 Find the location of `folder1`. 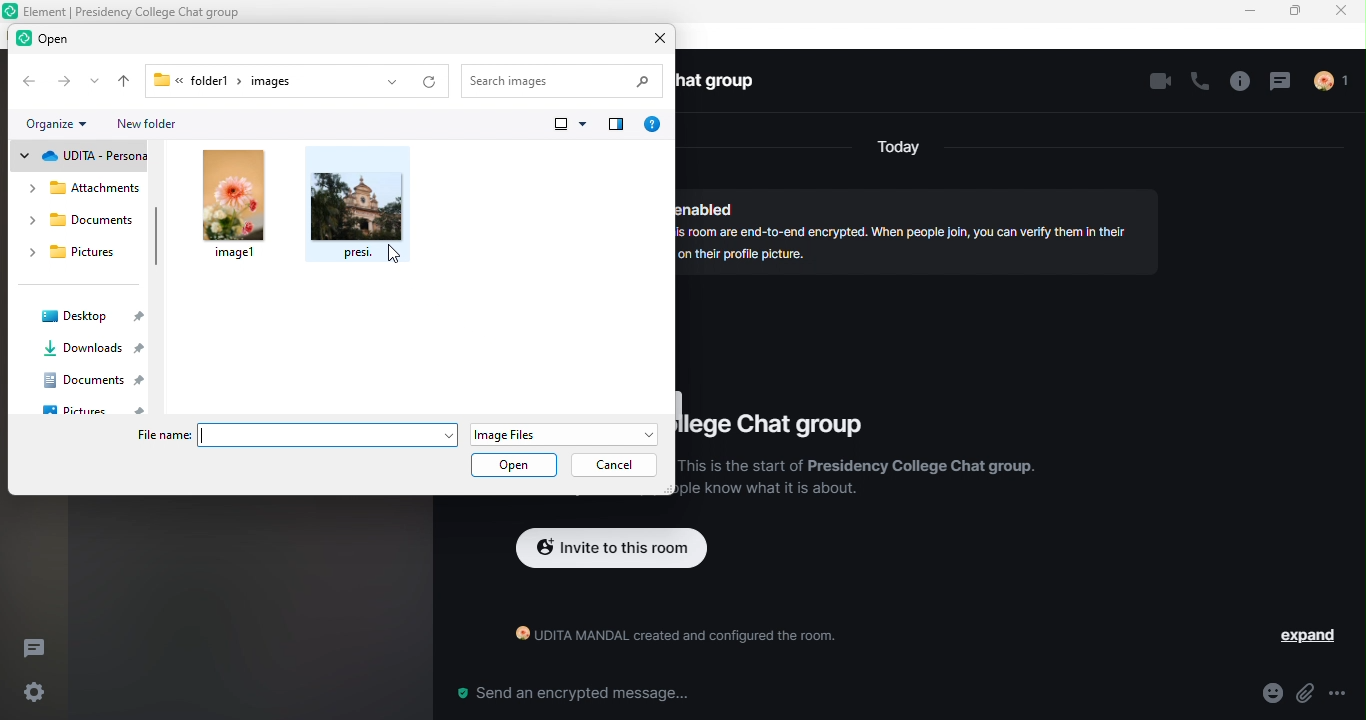

folder1 is located at coordinates (190, 77).